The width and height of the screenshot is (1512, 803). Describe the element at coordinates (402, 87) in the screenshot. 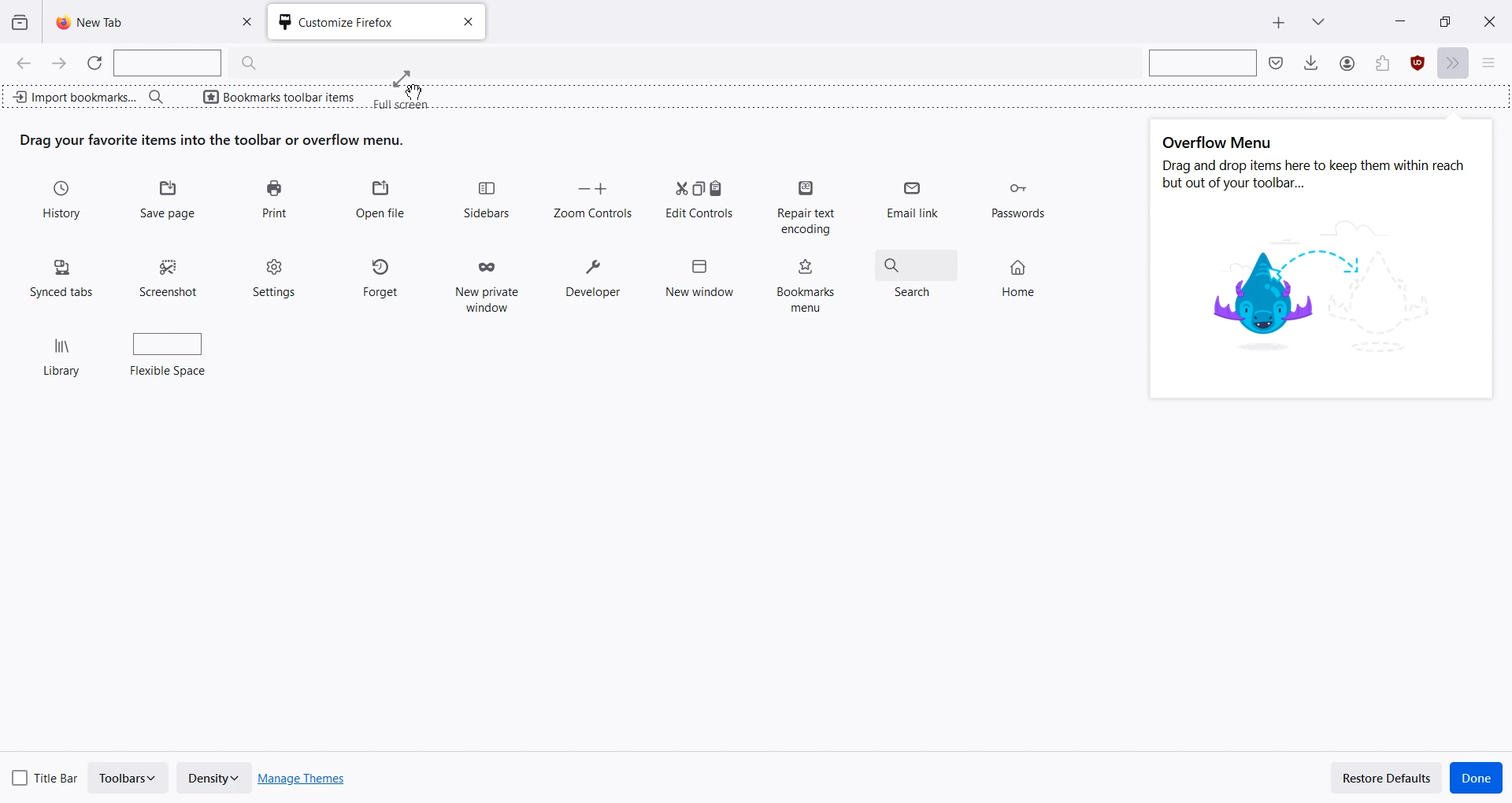

I see `Drag cursor` at that location.